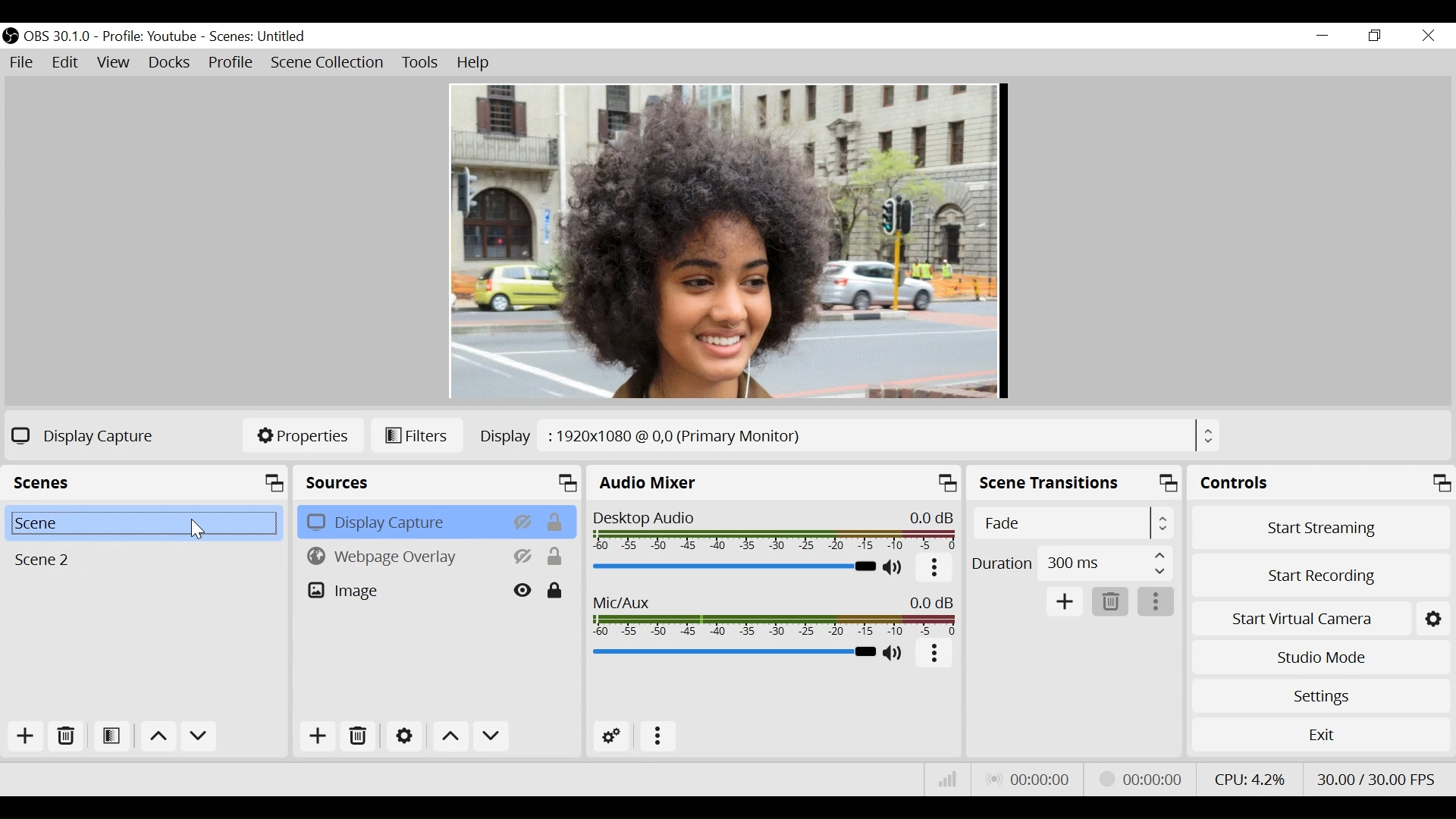 Image resolution: width=1456 pixels, height=819 pixels. What do you see at coordinates (522, 521) in the screenshot?
I see `Hide/Display` at bounding box center [522, 521].